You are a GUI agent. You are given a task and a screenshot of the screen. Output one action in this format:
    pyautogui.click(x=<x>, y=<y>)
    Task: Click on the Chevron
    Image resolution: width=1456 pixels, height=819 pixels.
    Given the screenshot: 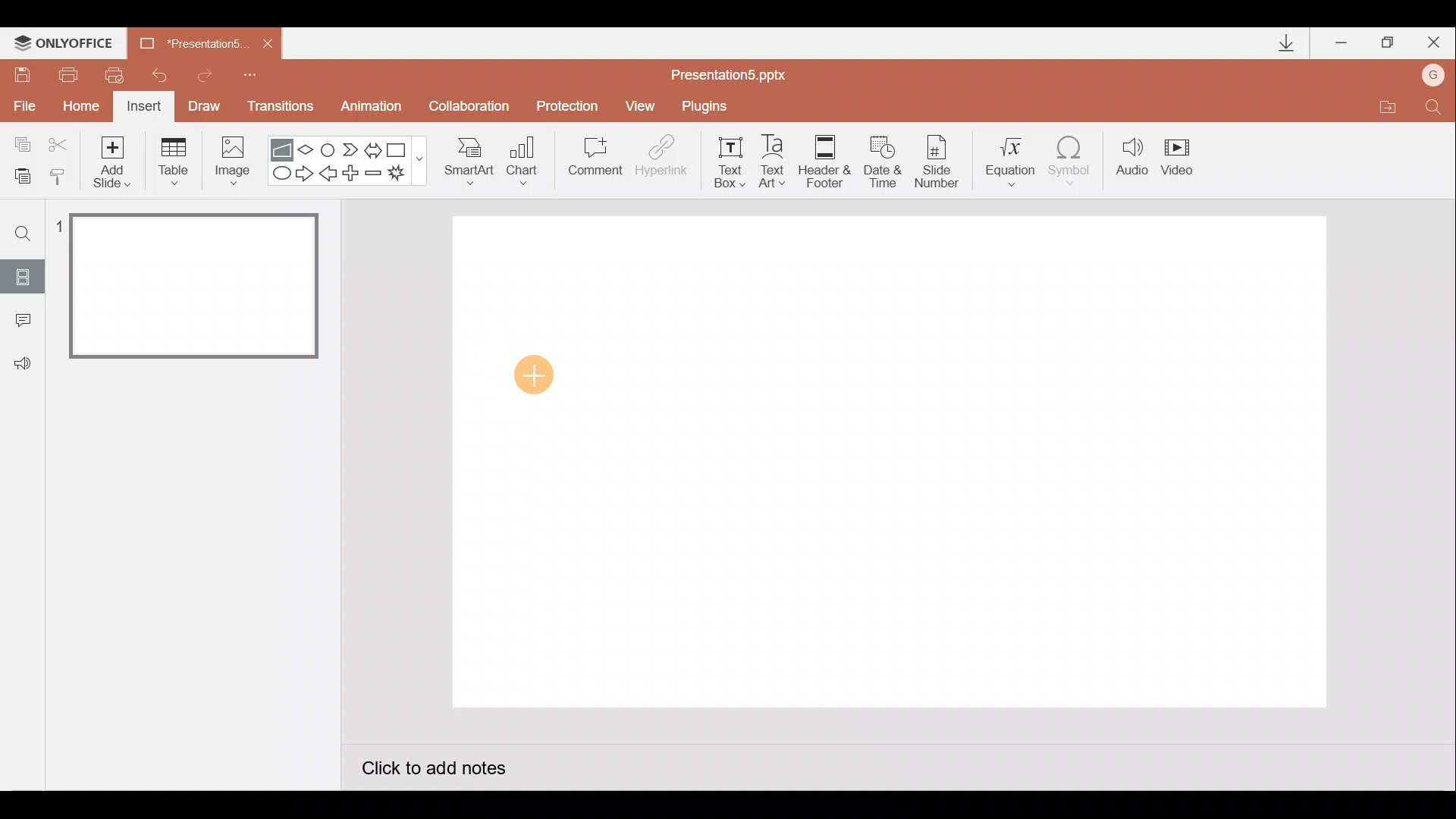 What is the action you would take?
    pyautogui.click(x=352, y=150)
    